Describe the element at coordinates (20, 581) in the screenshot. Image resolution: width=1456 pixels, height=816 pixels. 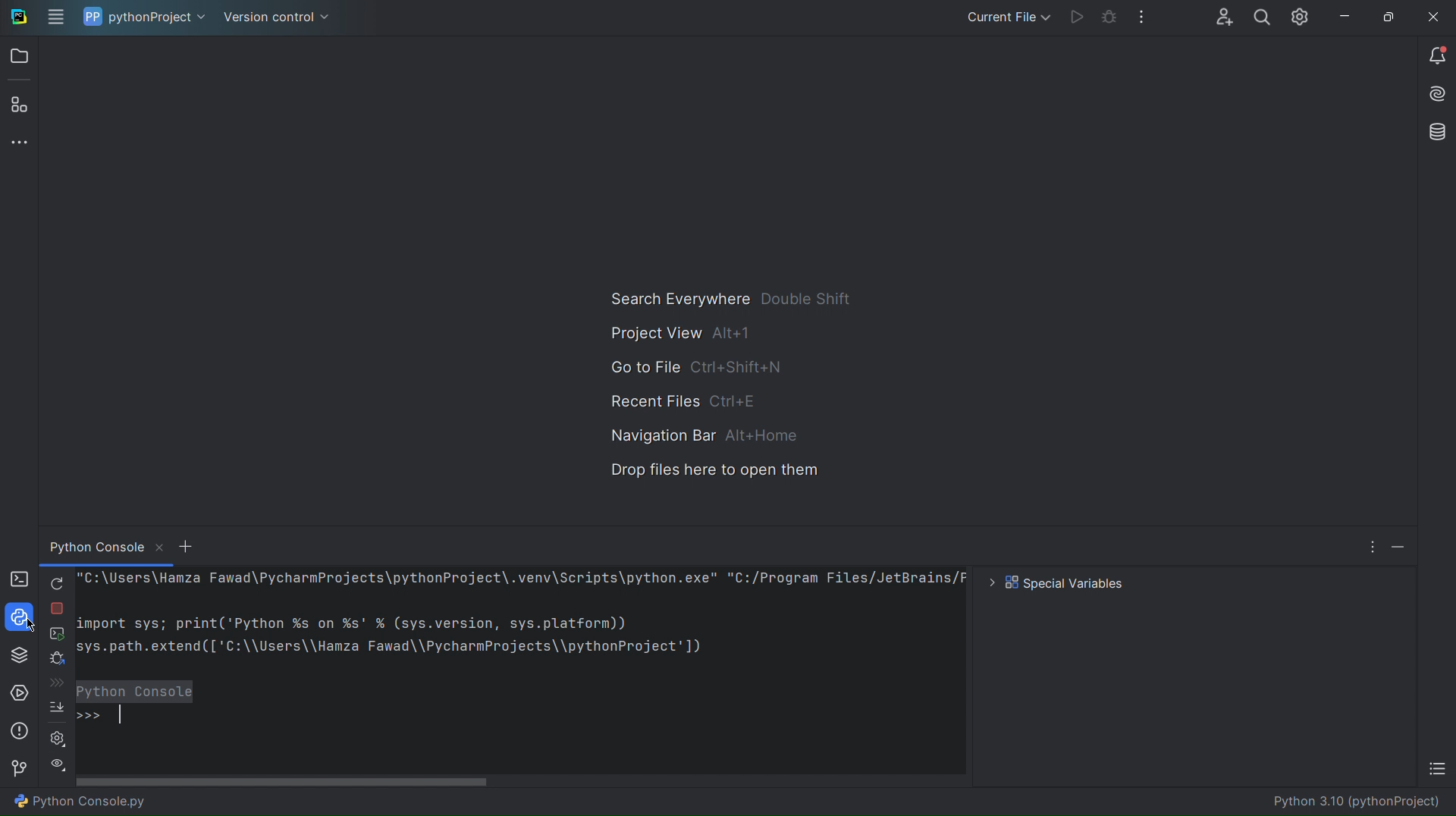
I see `Terminal` at that location.